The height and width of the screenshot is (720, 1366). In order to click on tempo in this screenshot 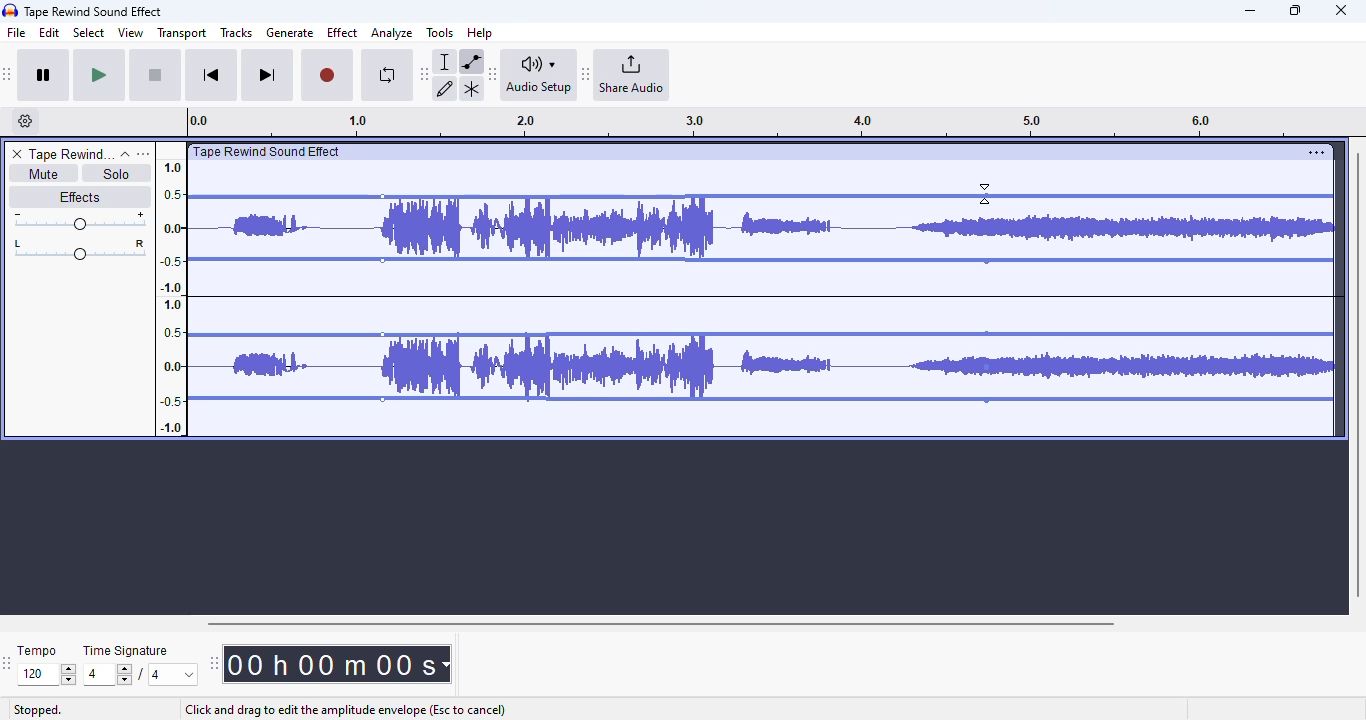, I will do `click(37, 650)`.